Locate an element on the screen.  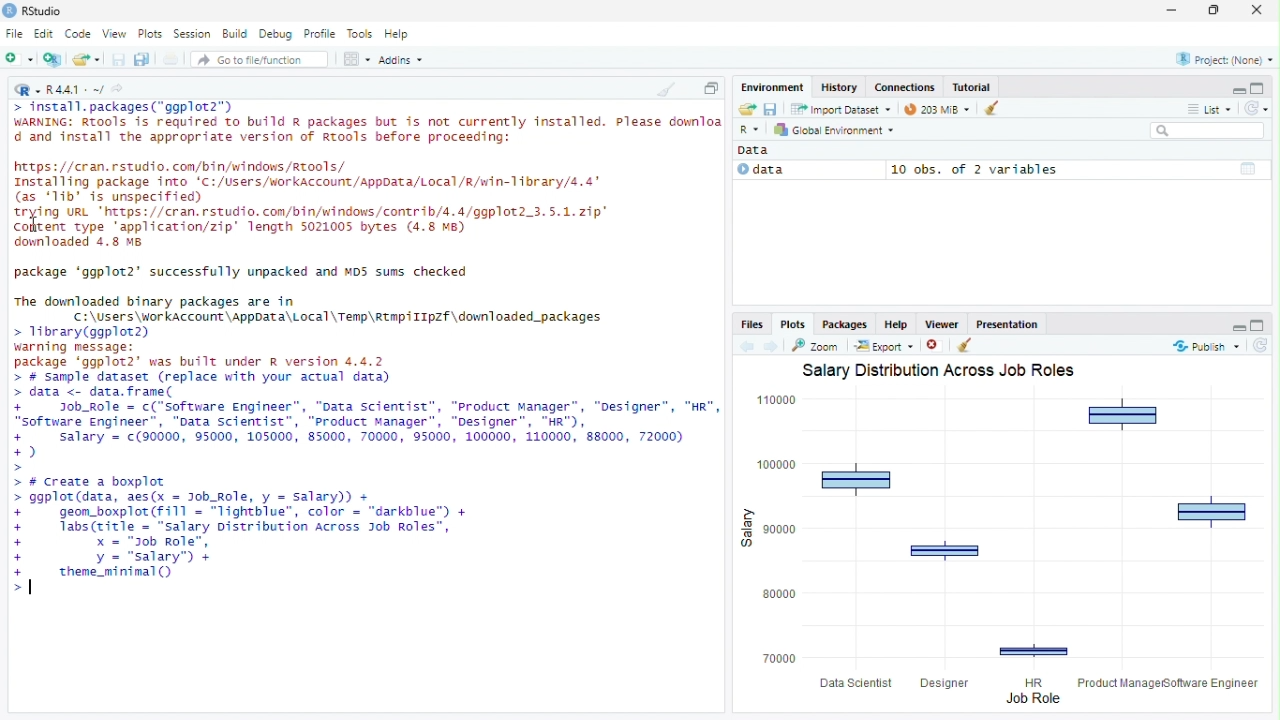
maximize is located at coordinates (1260, 88).